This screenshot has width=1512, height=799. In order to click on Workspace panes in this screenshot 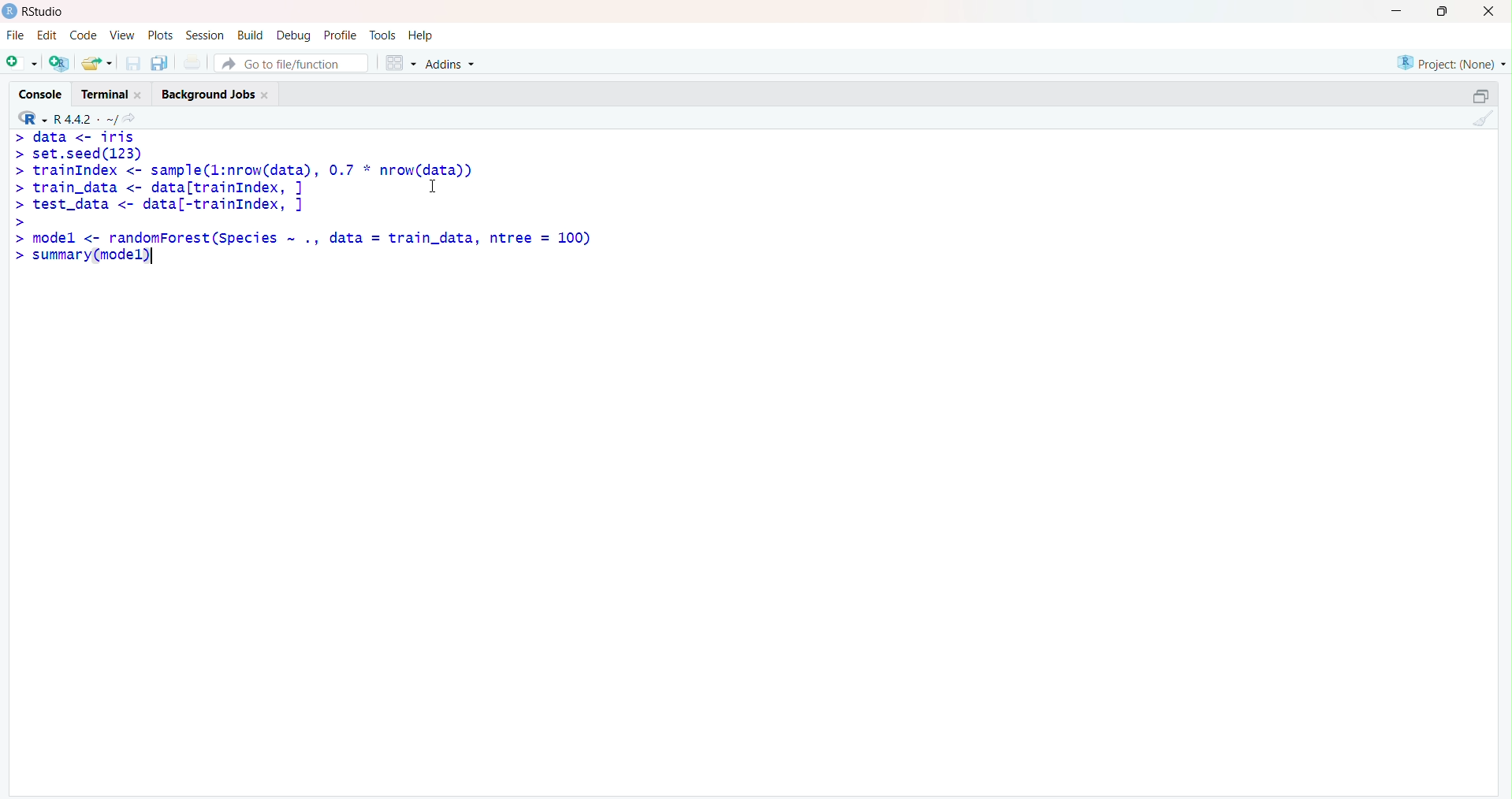, I will do `click(397, 61)`.